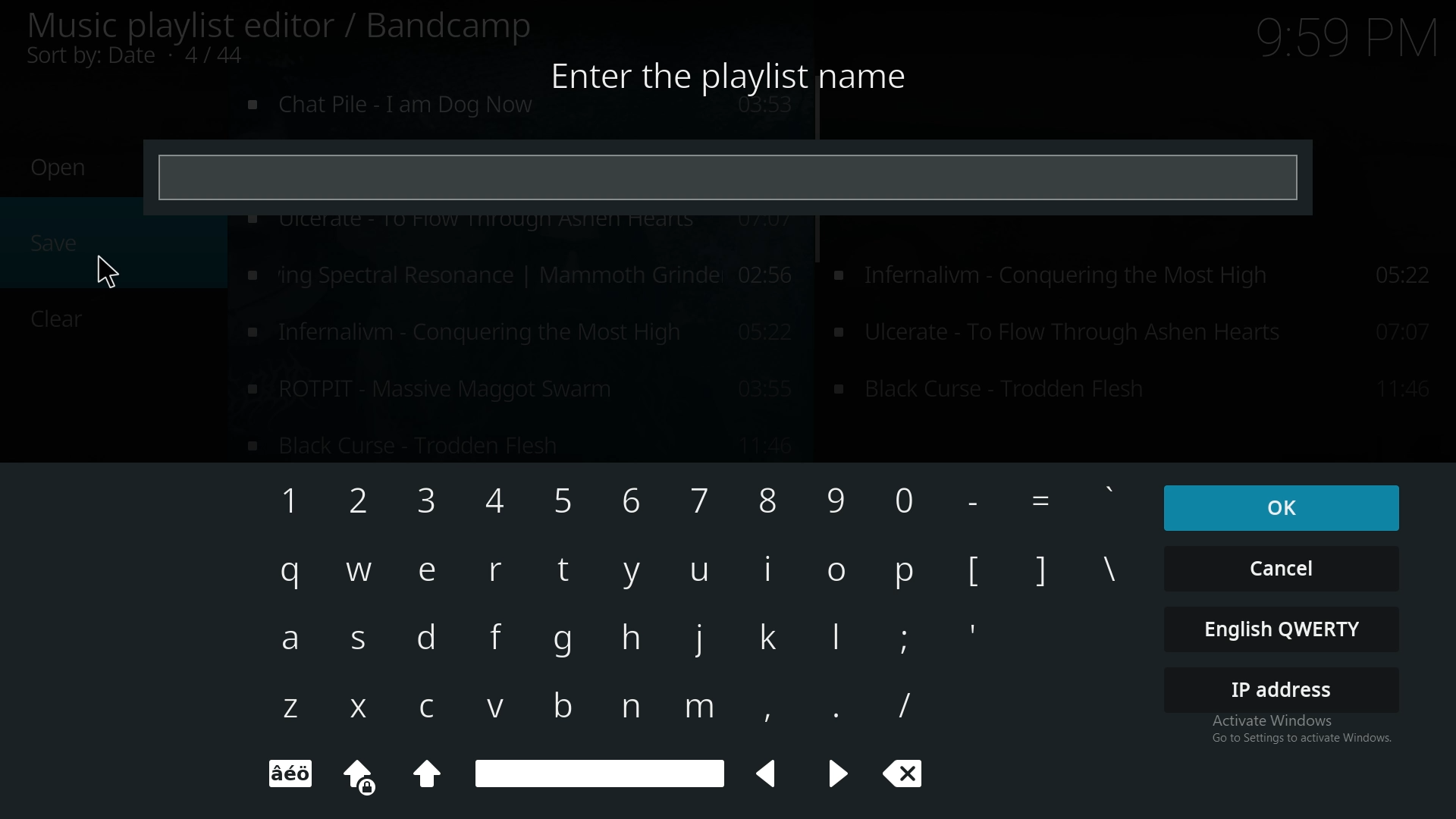  What do you see at coordinates (563, 497) in the screenshot?
I see `keyboard input` at bounding box center [563, 497].